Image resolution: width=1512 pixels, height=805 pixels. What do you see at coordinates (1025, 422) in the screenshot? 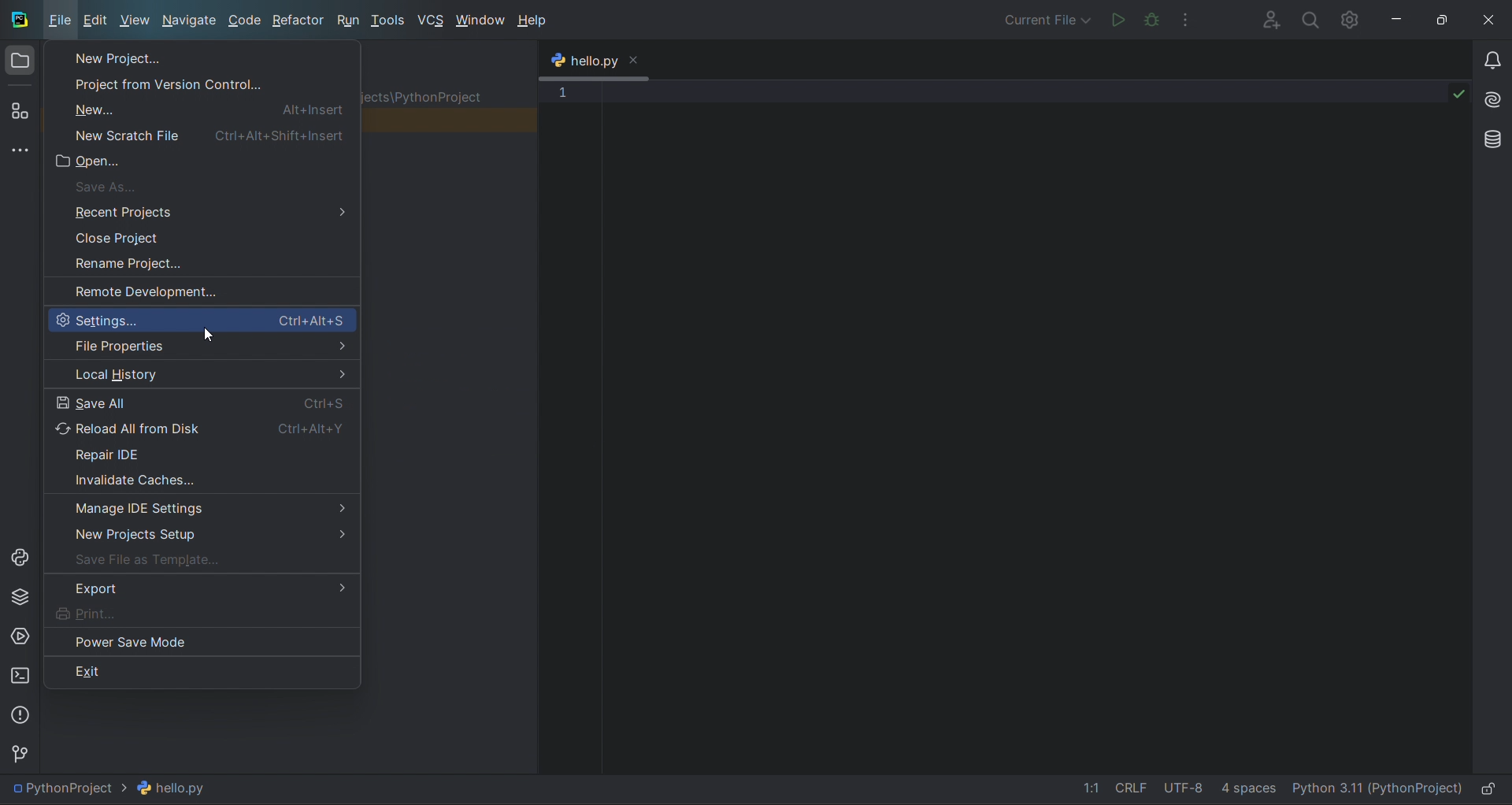
I see `text editor` at bounding box center [1025, 422].